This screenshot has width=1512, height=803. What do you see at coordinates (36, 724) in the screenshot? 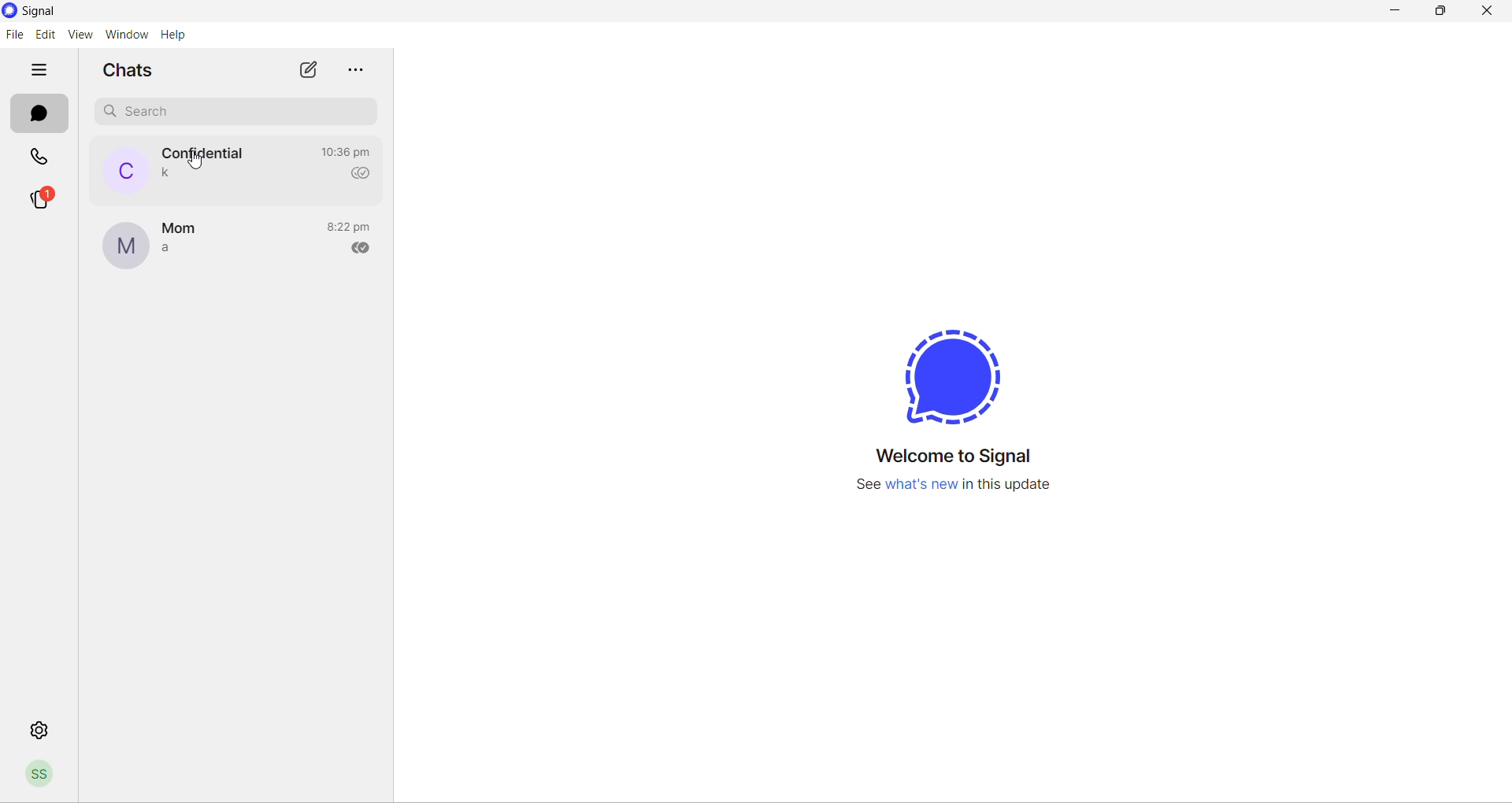
I see `settings` at bounding box center [36, 724].